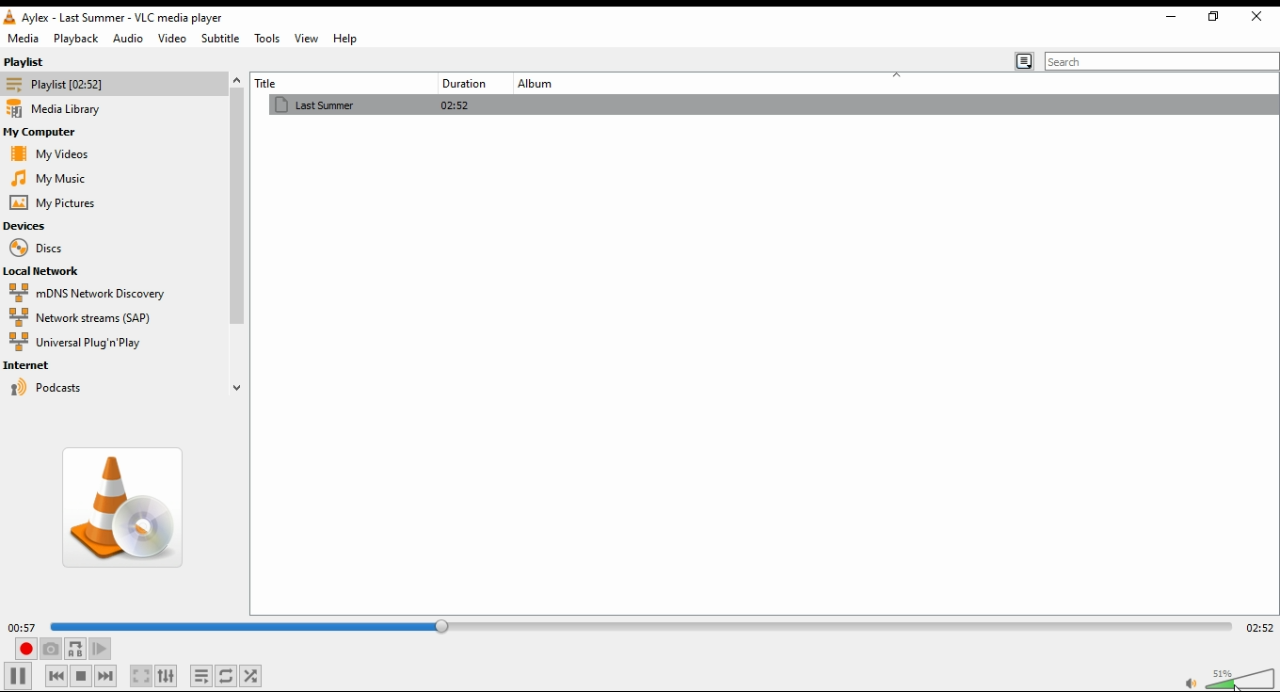 This screenshot has height=692, width=1280. Describe the element at coordinates (255, 677) in the screenshot. I see `random` at that location.